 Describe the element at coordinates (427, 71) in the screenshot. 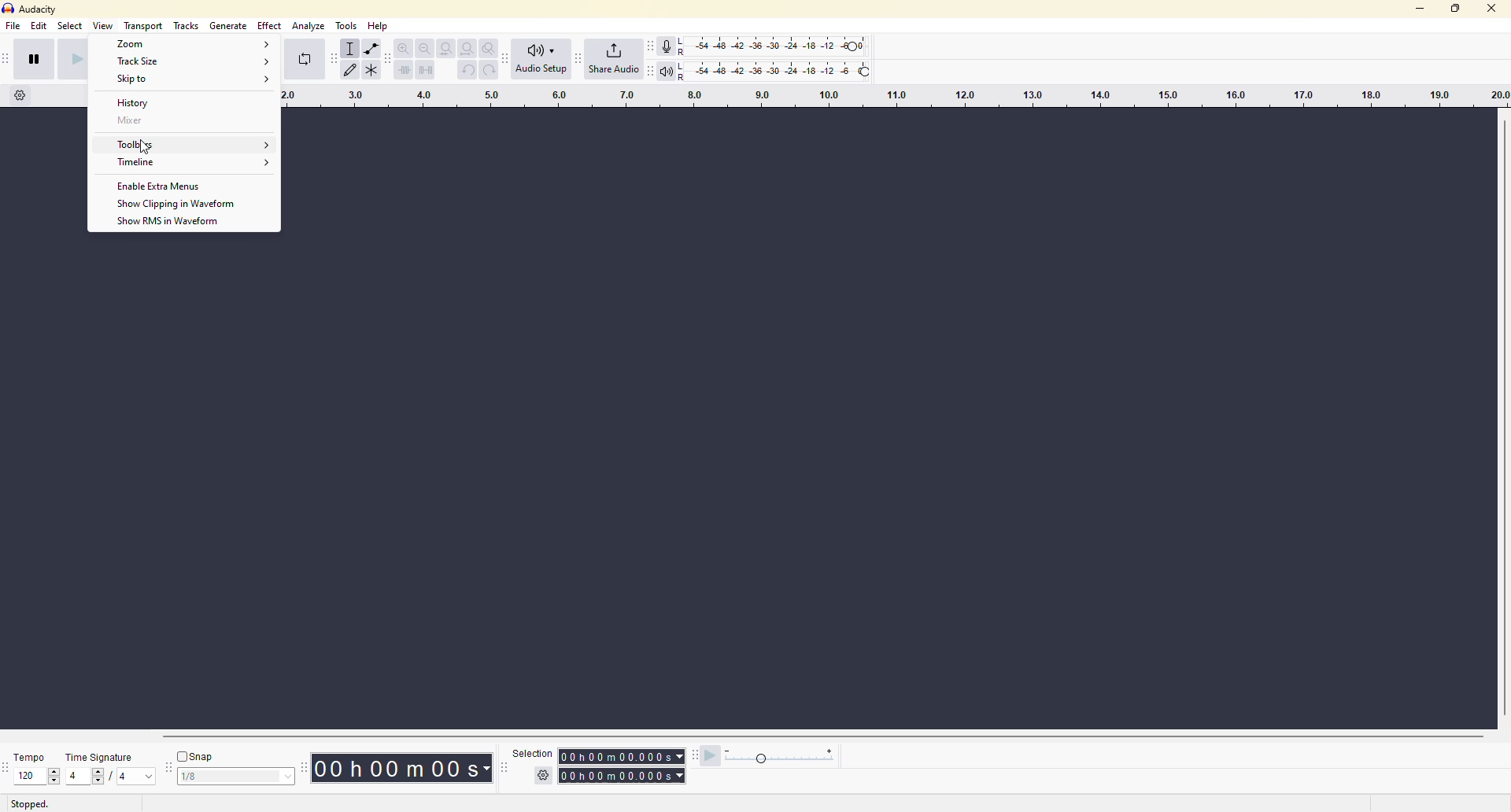

I see `silence audio selection` at that location.